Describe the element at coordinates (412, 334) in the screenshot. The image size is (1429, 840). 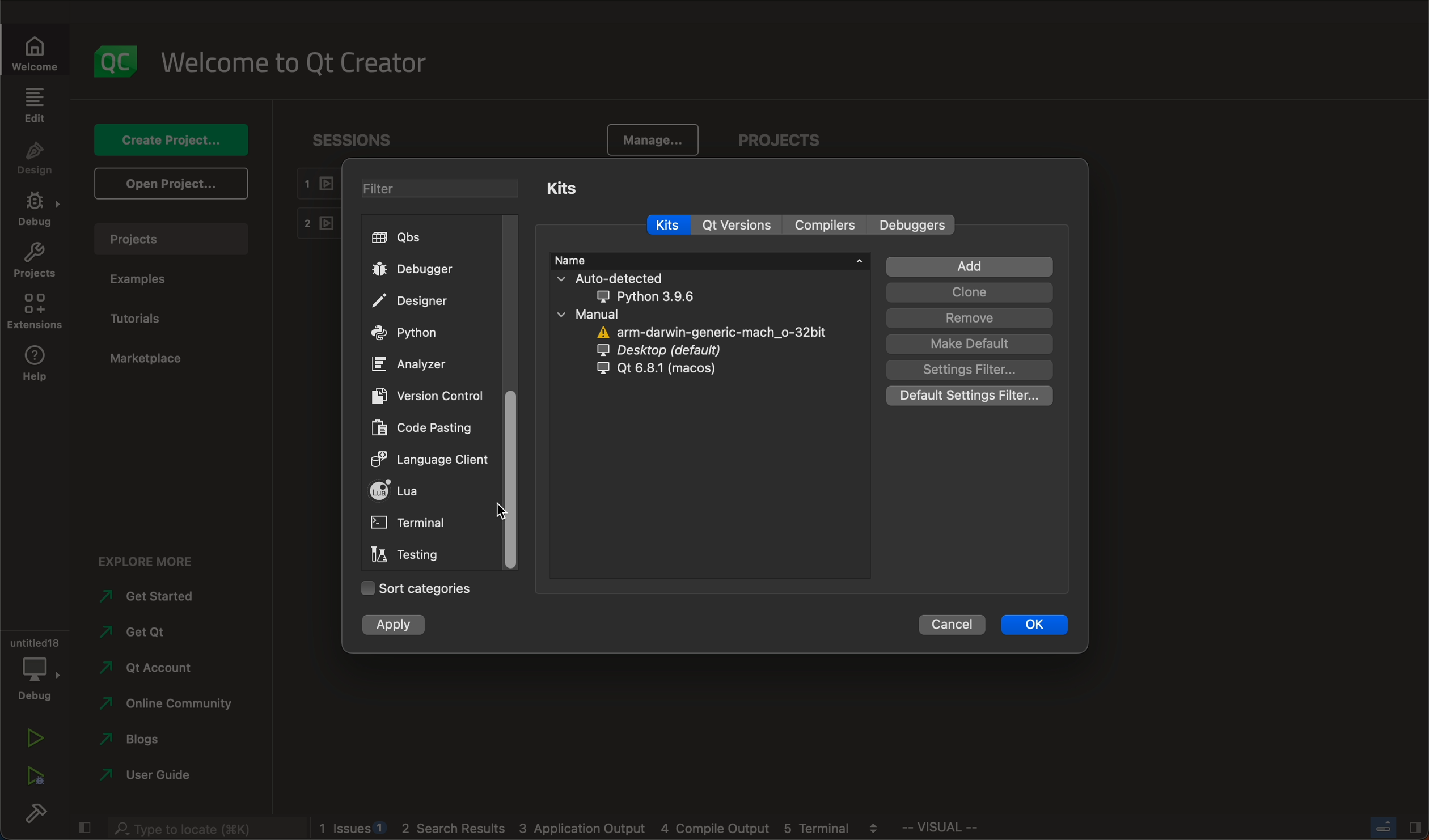
I see `python` at that location.